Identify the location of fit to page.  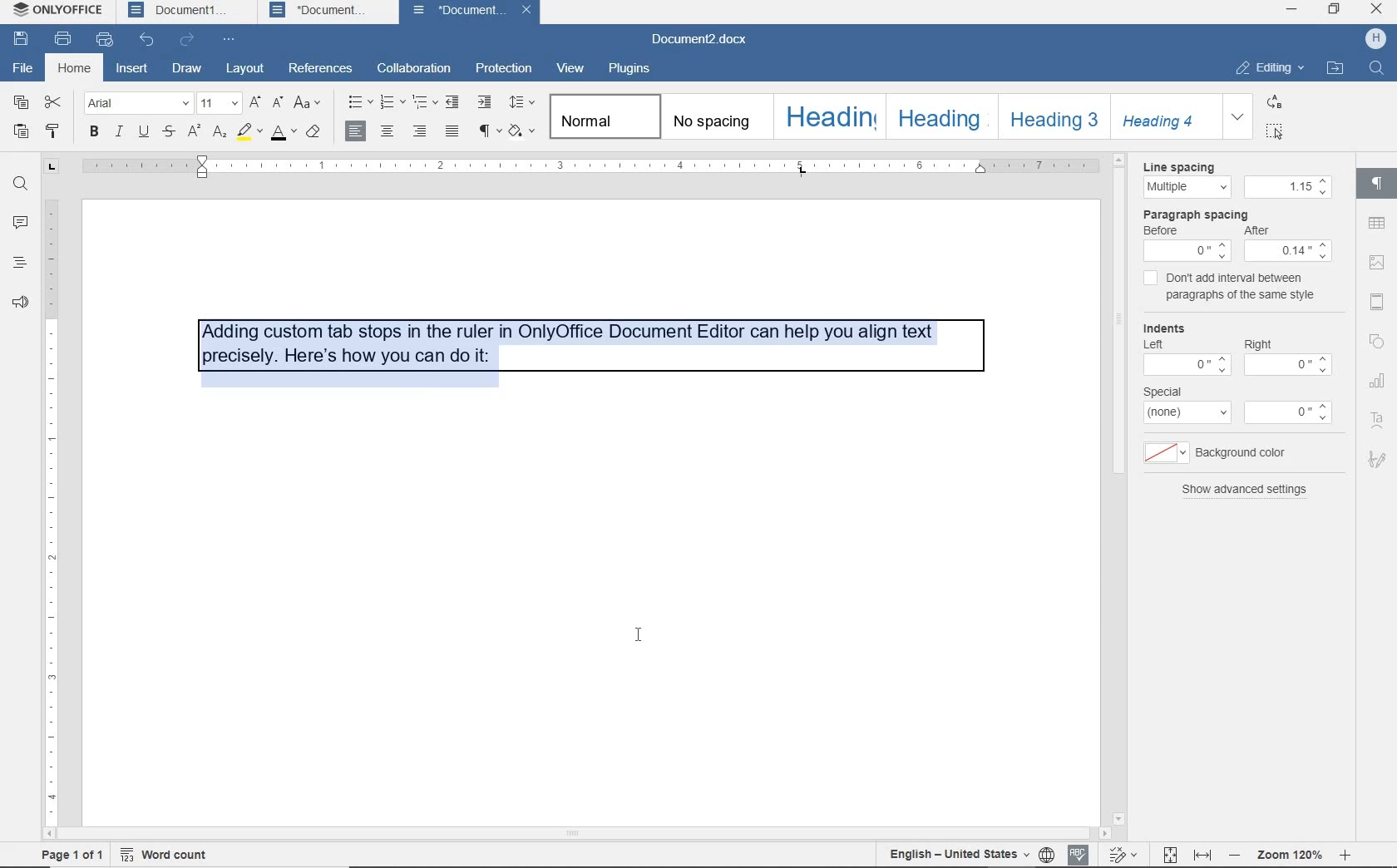
(1169, 855).